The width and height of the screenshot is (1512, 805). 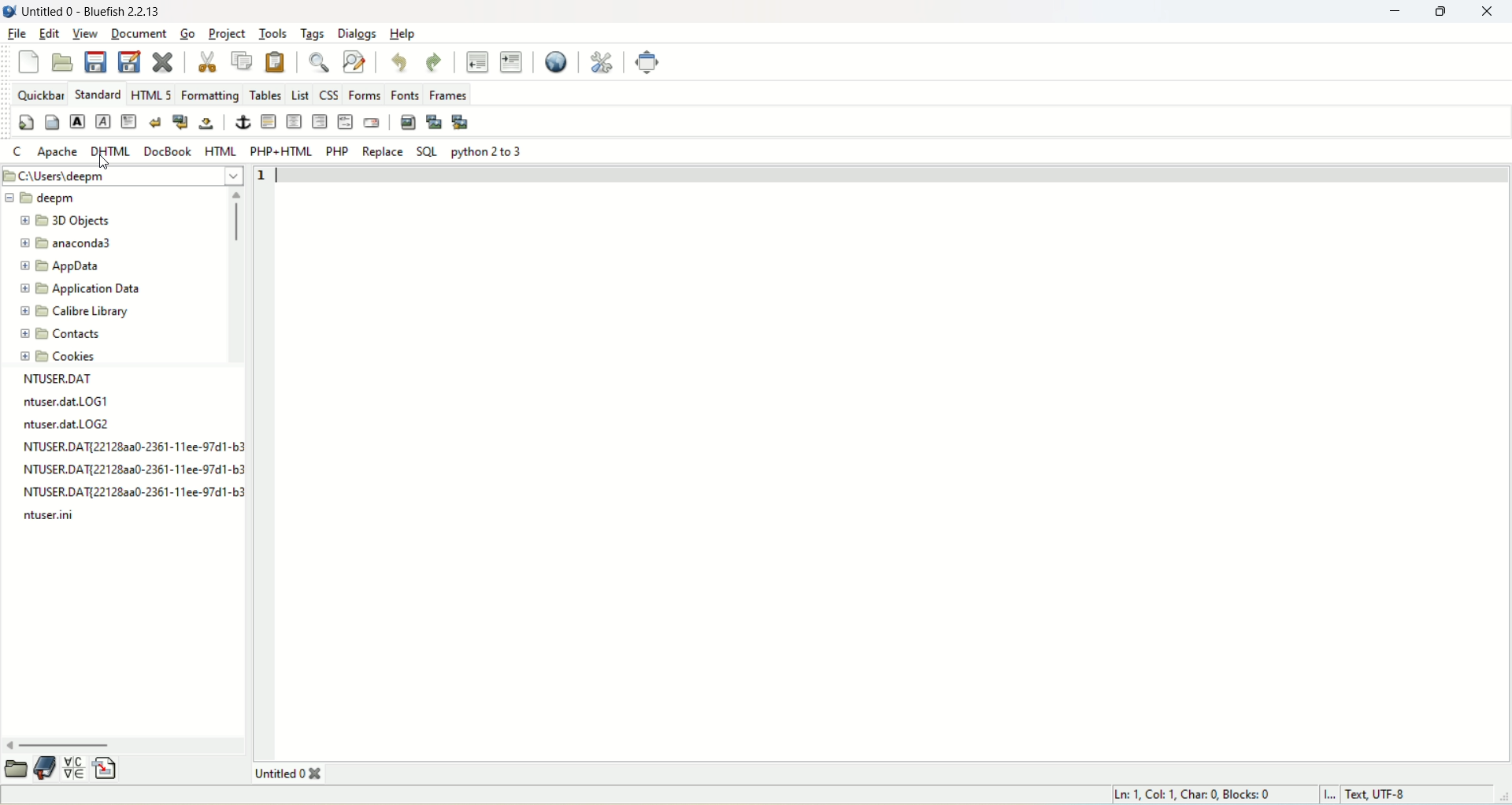 What do you see at coordinates (61, 267) in the screenshot?
I see `appdata` at bounding box center [61, 267].